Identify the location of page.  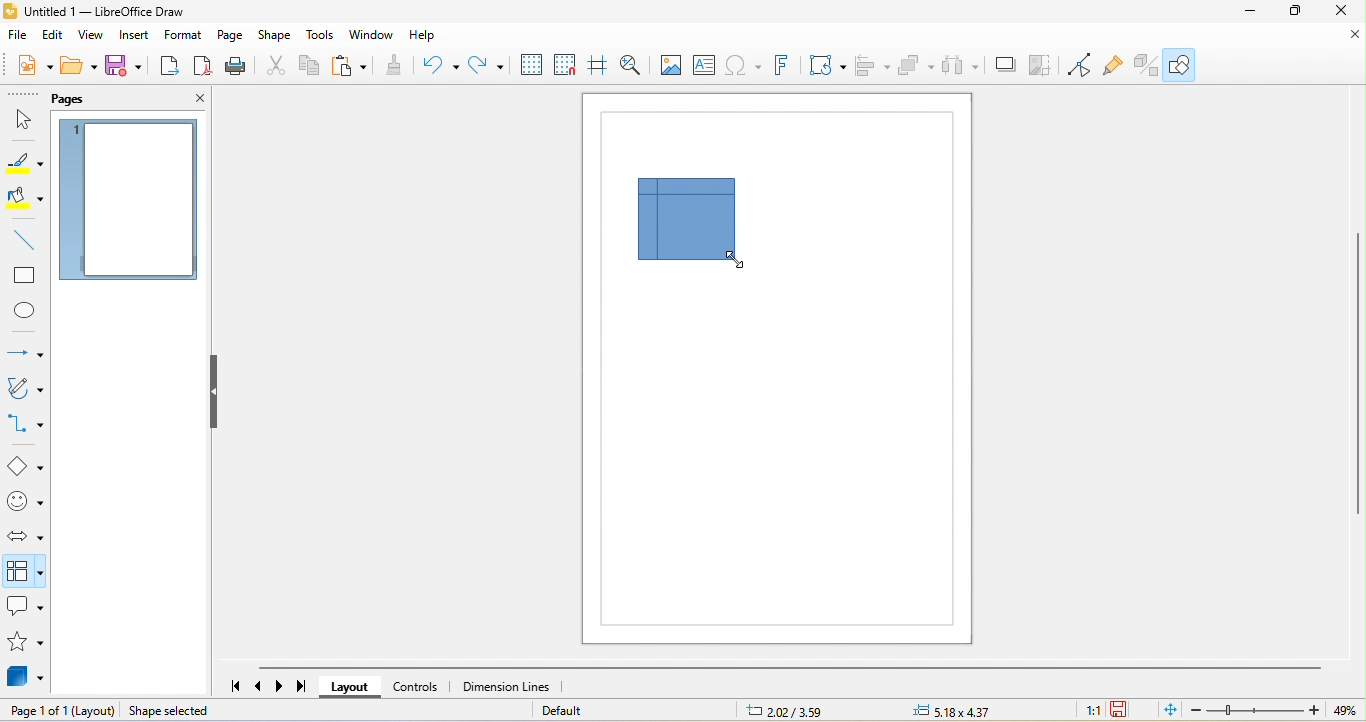
(231, 35).